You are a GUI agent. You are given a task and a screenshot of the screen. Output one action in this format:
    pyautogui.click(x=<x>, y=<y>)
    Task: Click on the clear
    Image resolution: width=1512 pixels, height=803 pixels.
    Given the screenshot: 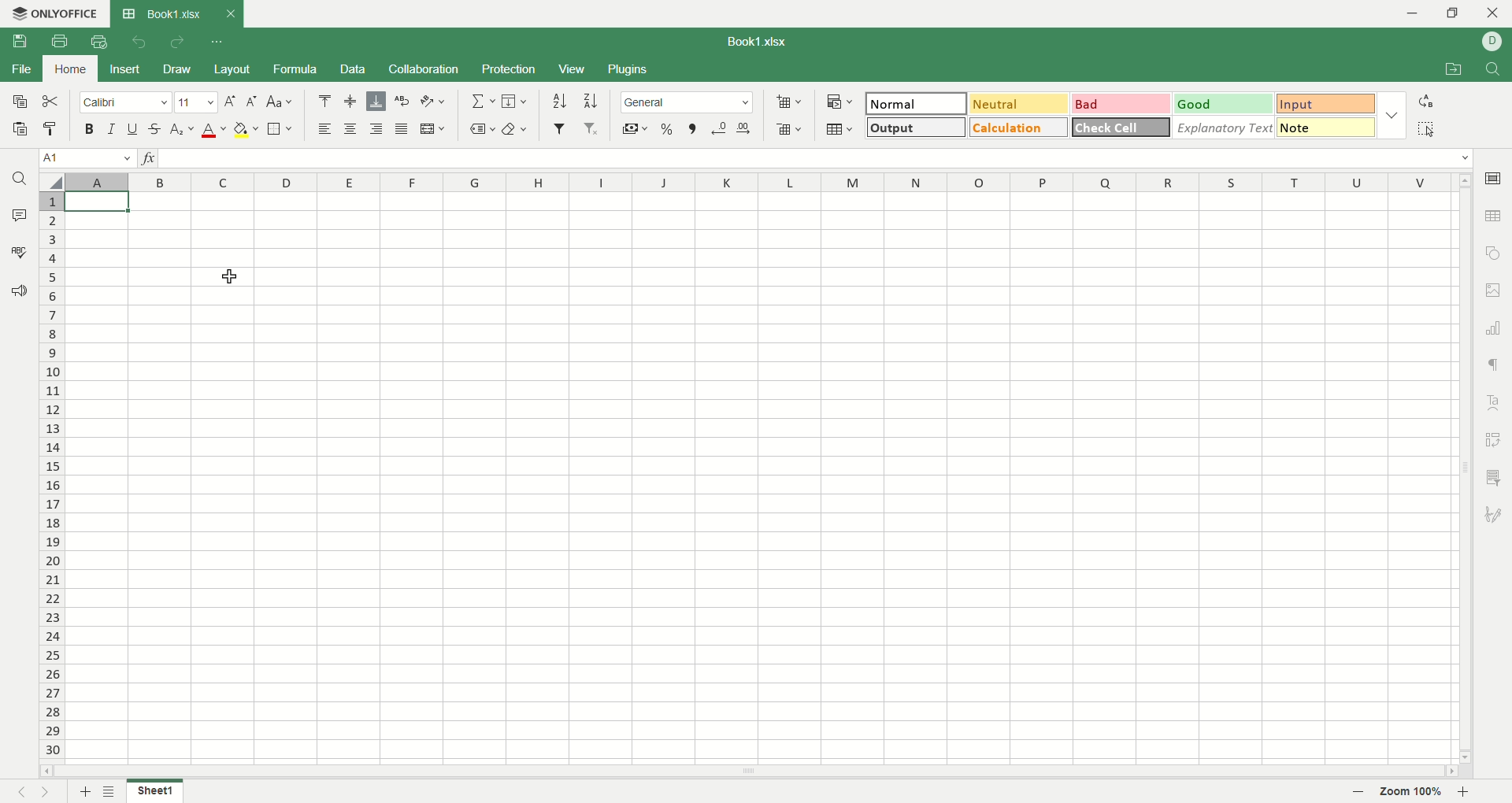 What is the action you would take?
    pyautogui.click(x=519, y=128)
    